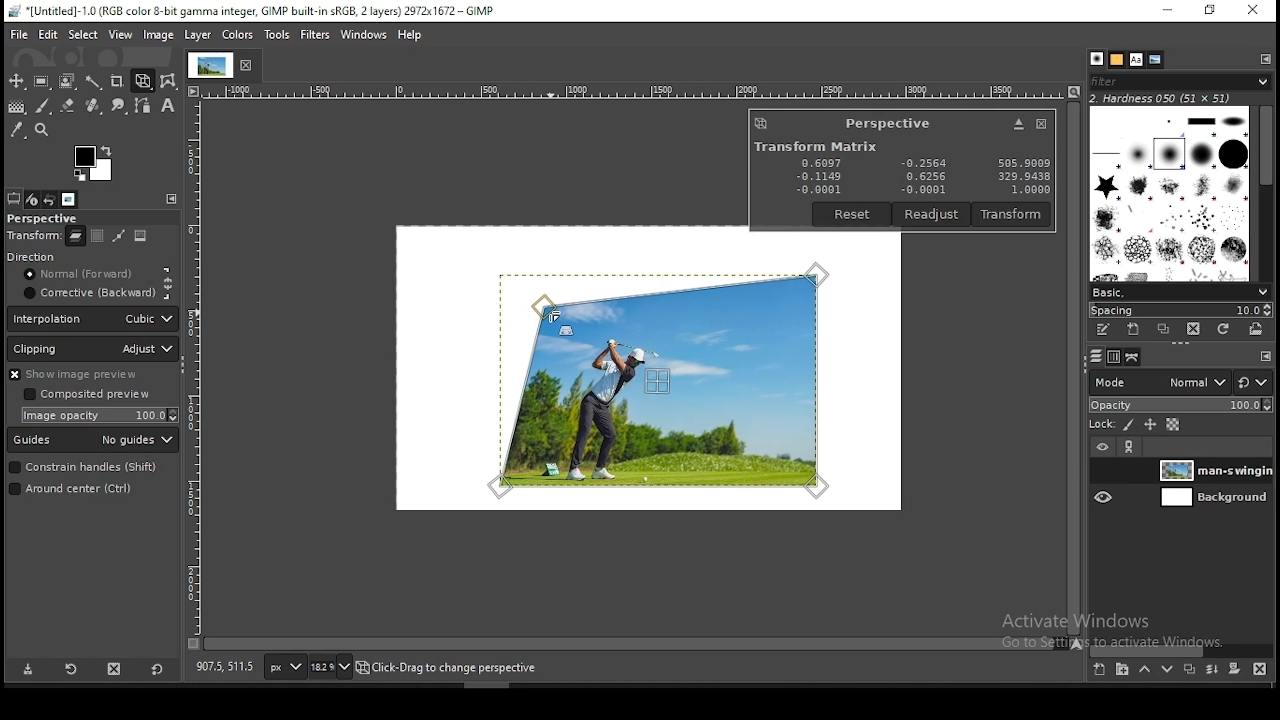 The width and height of the screenshot is (1280, 720). Describe the element at coordinates (1256, 329) in the screenshot. I see `open brush as image` at that location.